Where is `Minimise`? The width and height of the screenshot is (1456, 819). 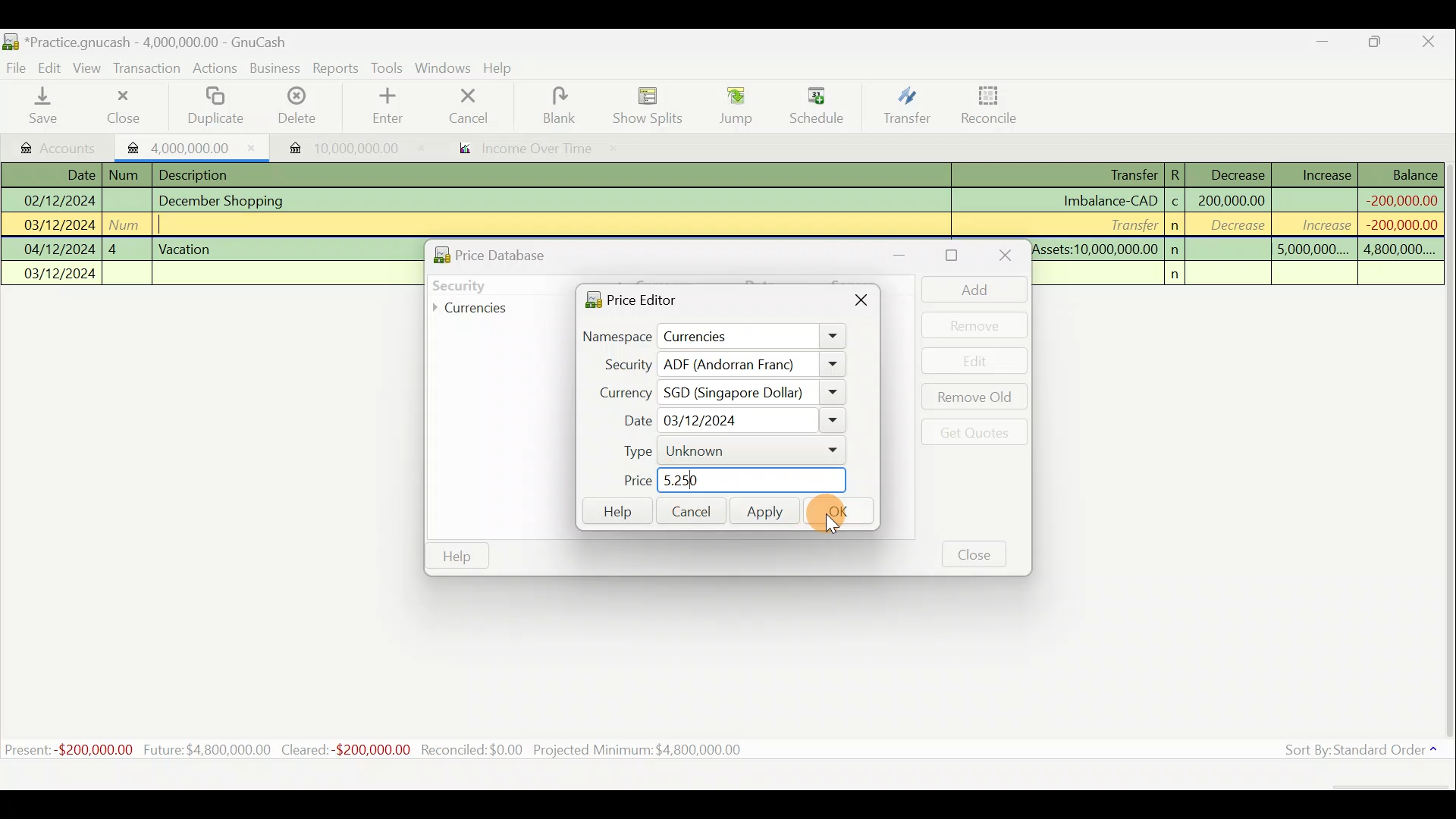 Minimise is located at coordinates (908, 255).